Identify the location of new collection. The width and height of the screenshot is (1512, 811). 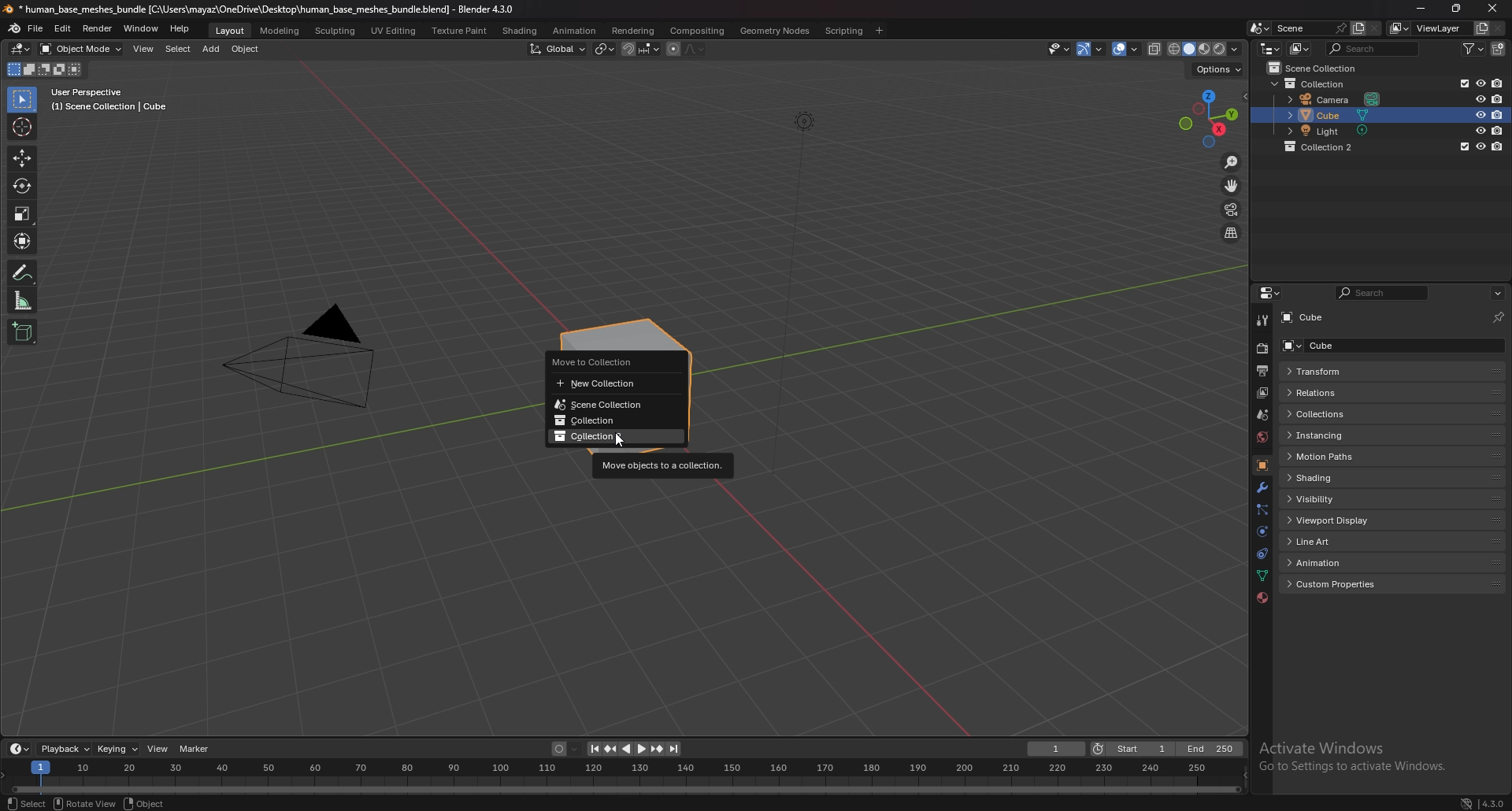
(610, 384).